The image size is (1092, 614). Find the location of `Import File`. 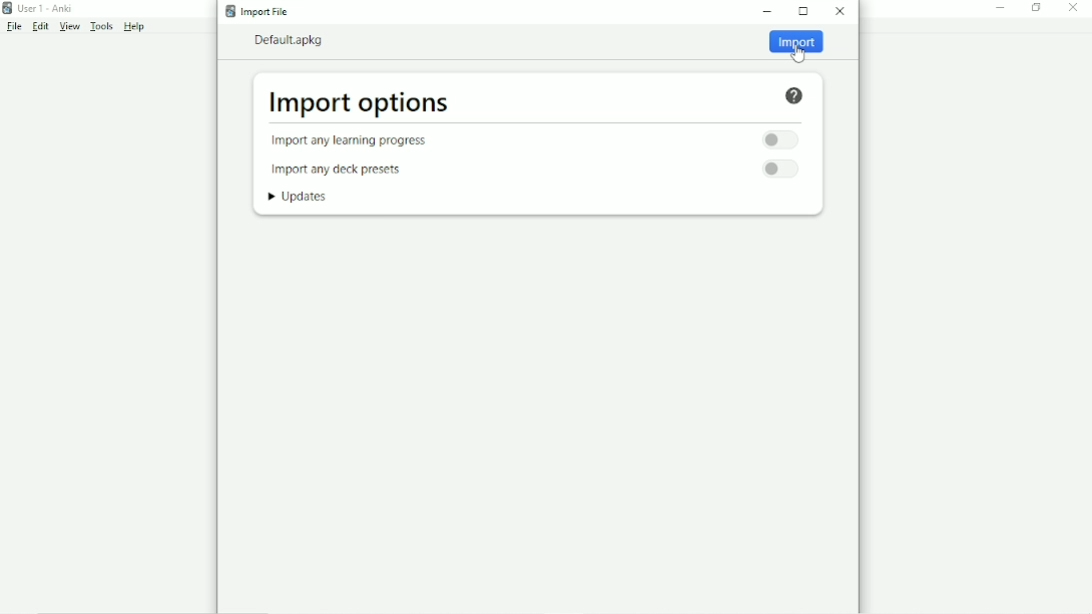

Import File is located at coordinates (261, 11).